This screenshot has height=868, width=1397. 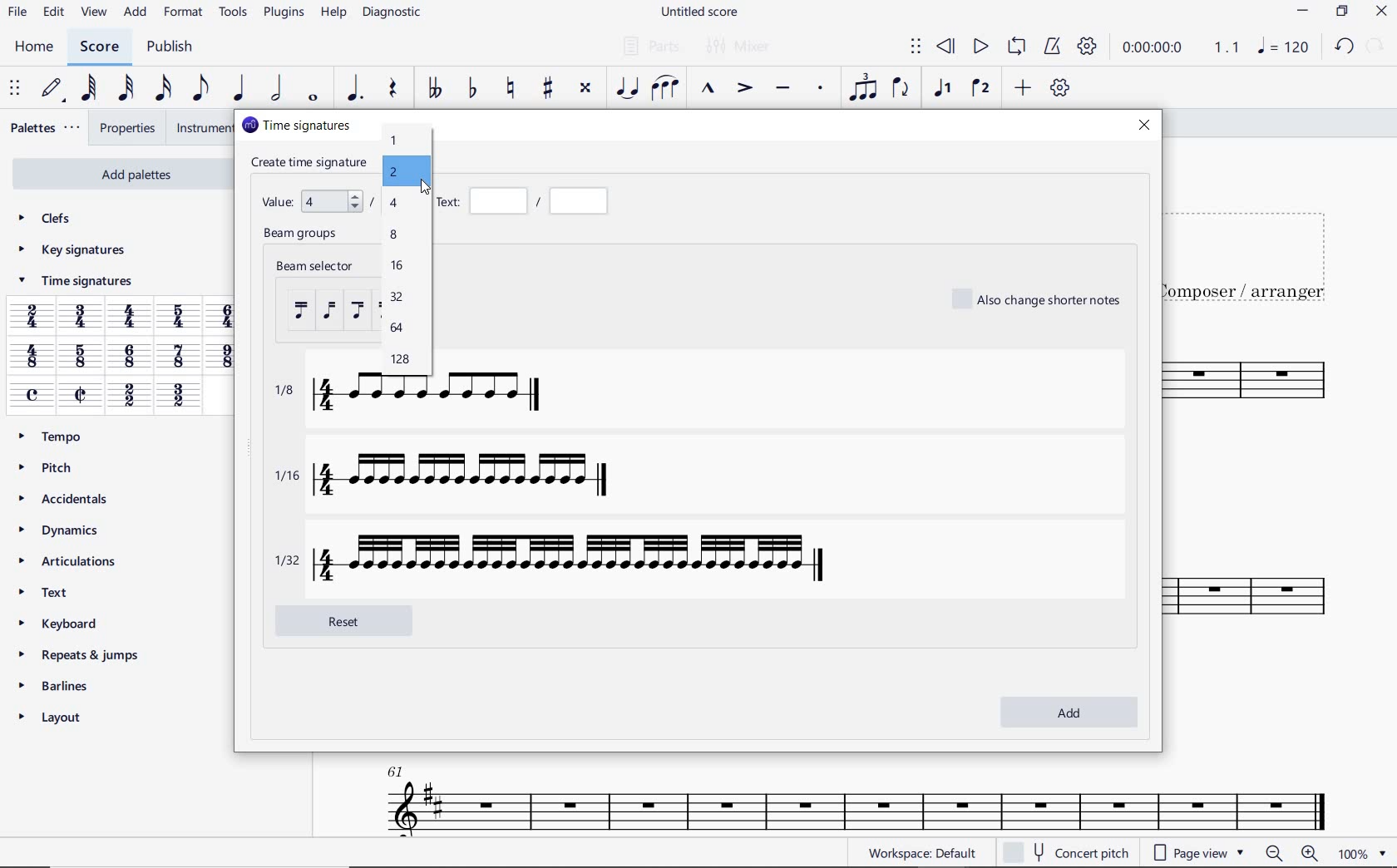 I want to click on PLAY SPEED, so click(x=1182, y=48).